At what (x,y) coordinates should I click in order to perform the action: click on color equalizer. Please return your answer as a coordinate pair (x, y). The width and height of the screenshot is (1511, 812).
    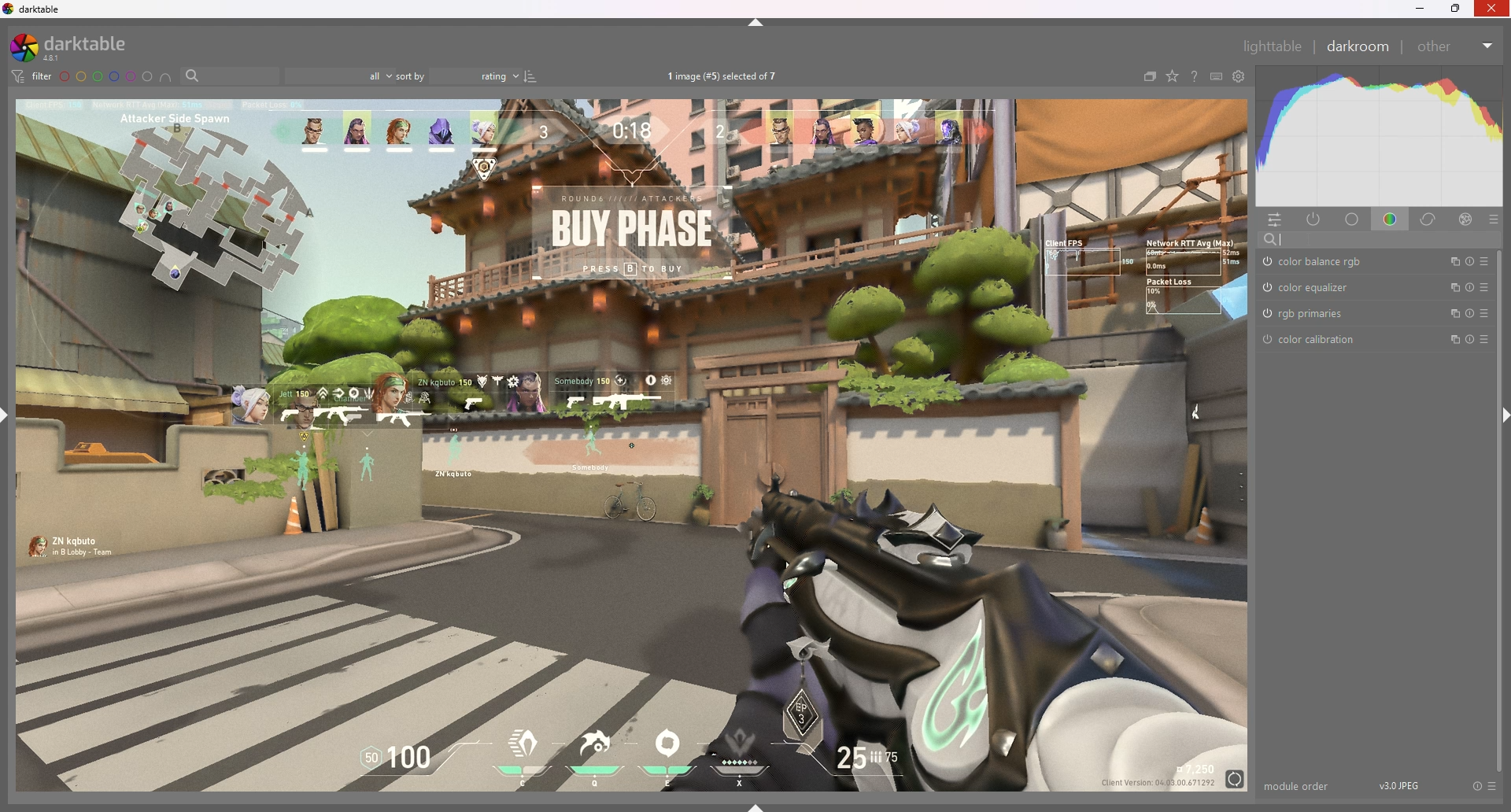
    Looking at the image, I should click on (1310, 287).